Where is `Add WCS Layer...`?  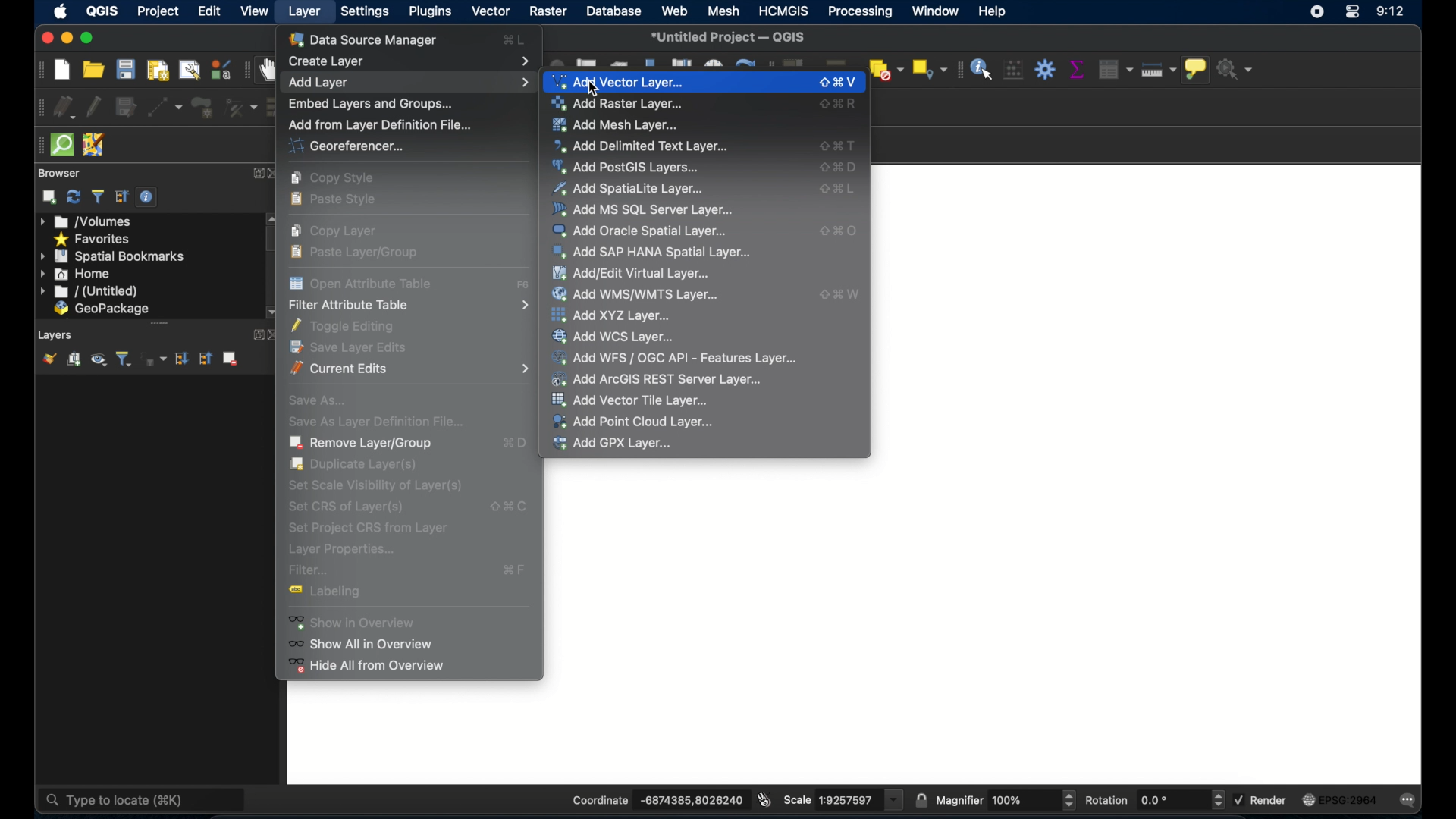
Add WCS Layer... is located at coordinates (632, 337).